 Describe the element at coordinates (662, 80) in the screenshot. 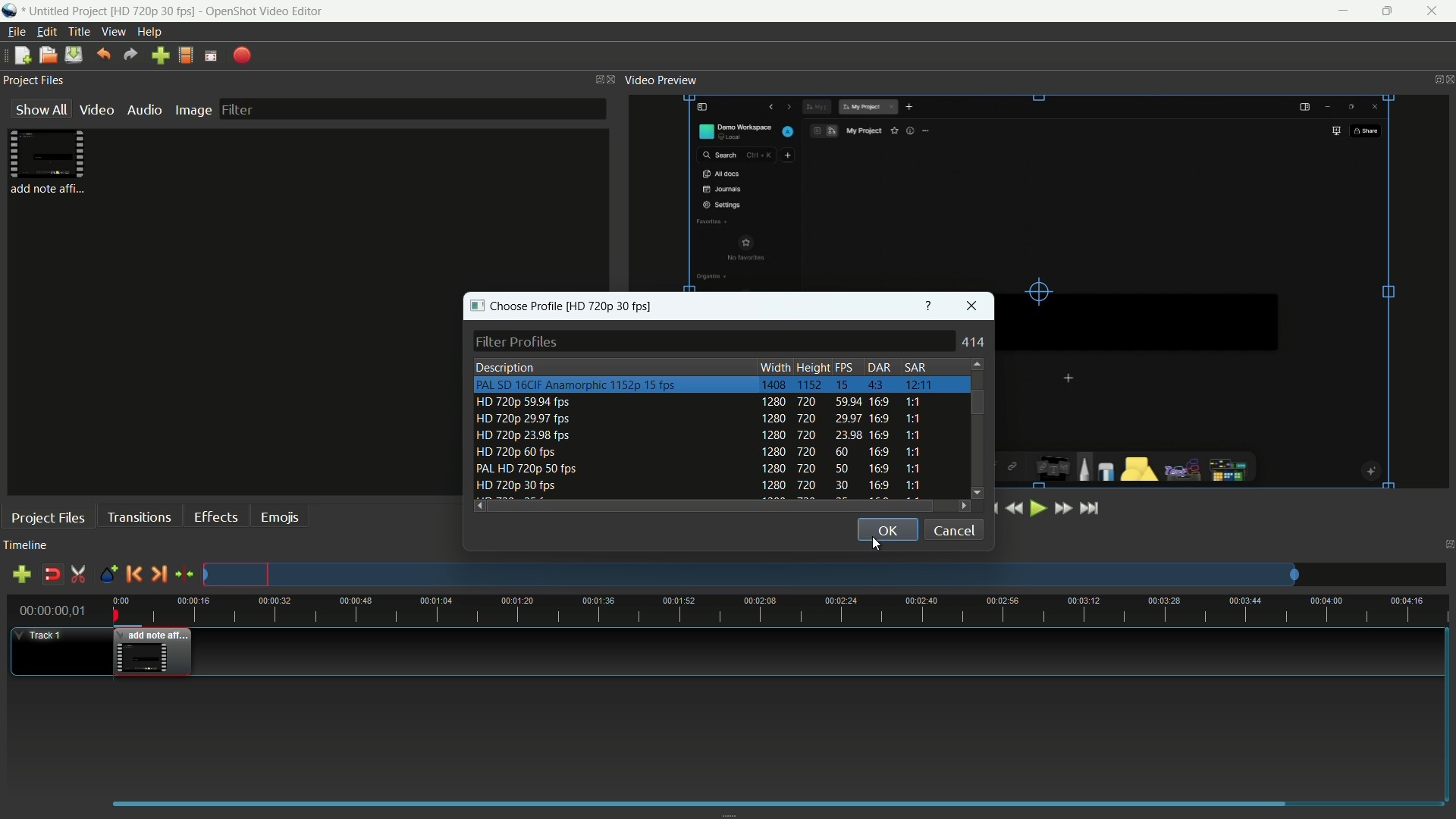

I see `video preview` at that location.